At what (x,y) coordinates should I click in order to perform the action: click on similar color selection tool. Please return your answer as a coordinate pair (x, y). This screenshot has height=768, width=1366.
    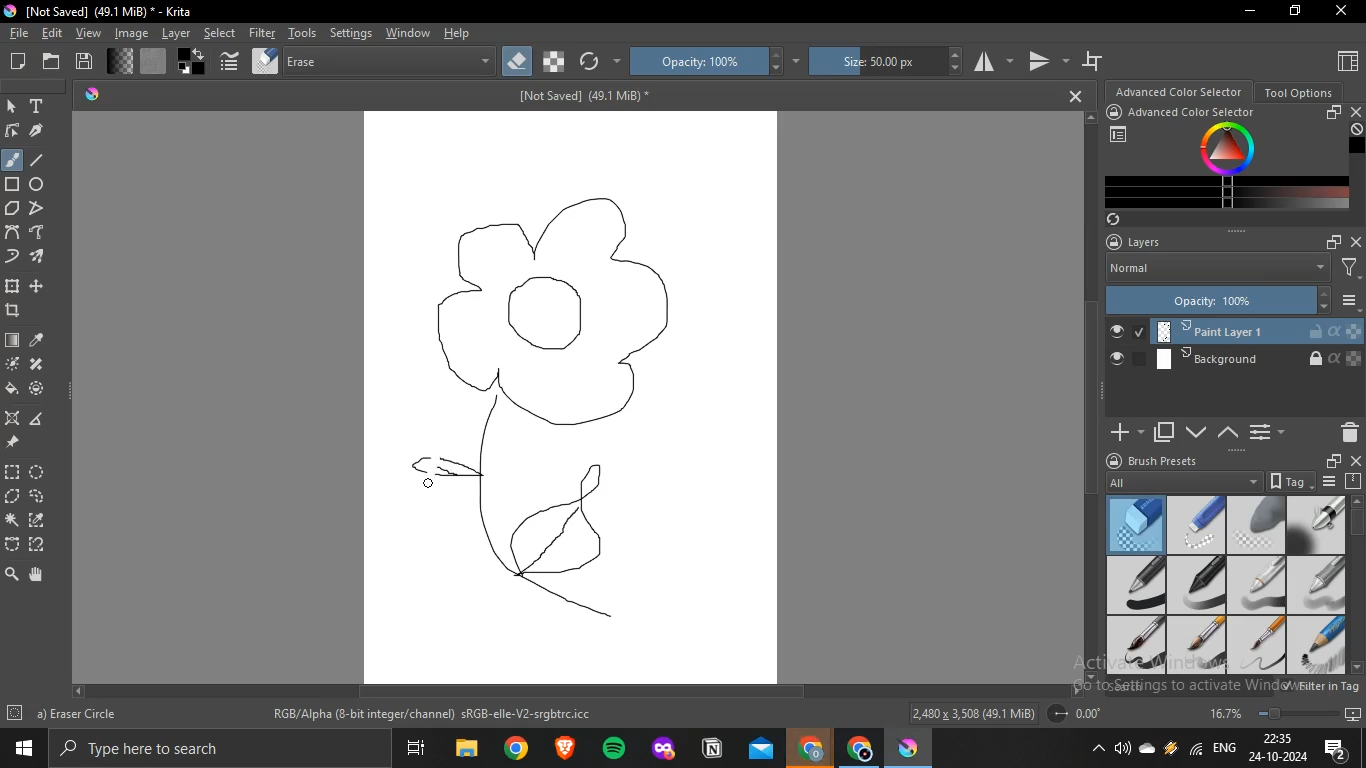
    Looking at the image, I should click on (39, 518).